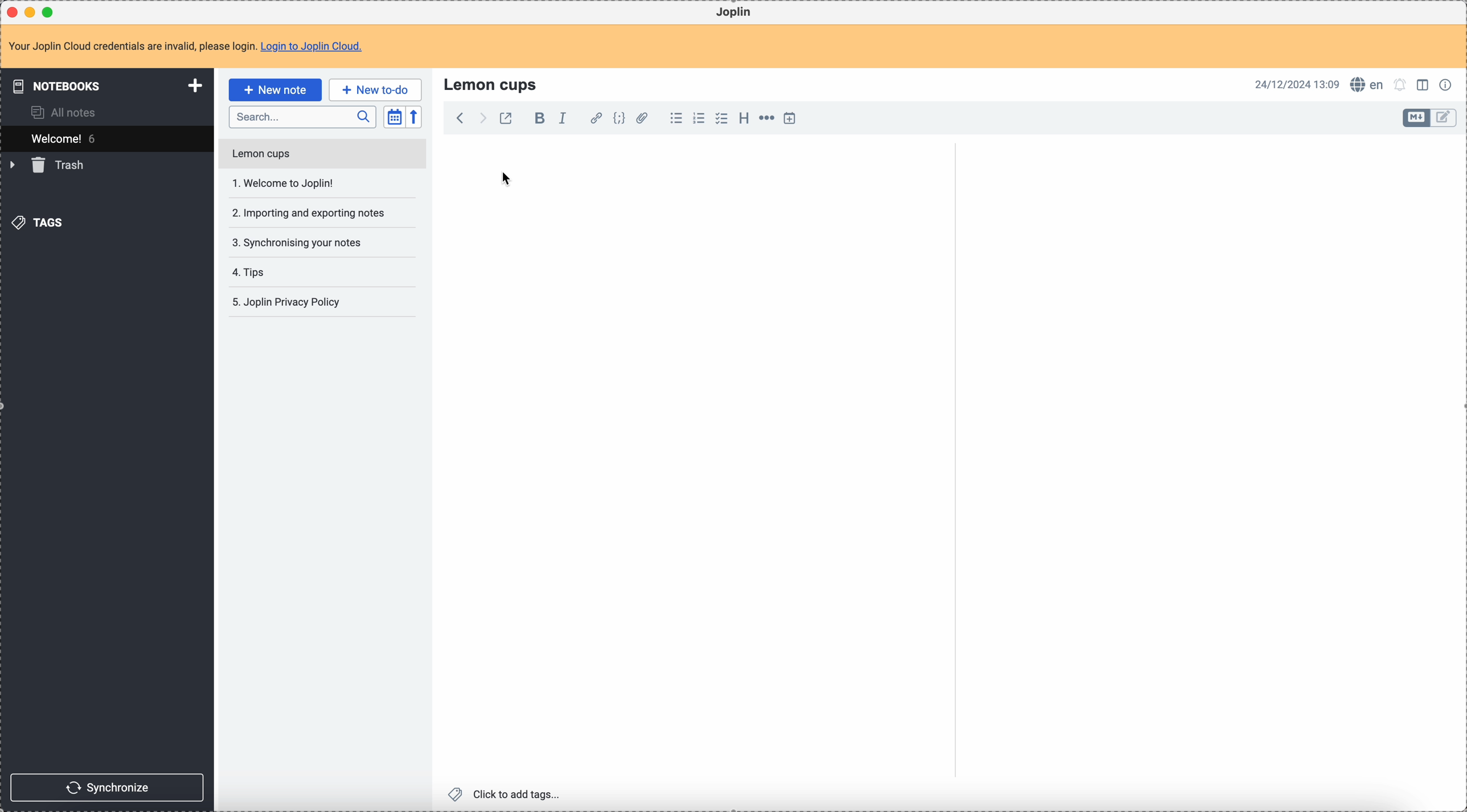  What do you see at coordinates (1444, 118) in the screenshot?
I see `toggle edit layout` at bounding box center [1444, 118].